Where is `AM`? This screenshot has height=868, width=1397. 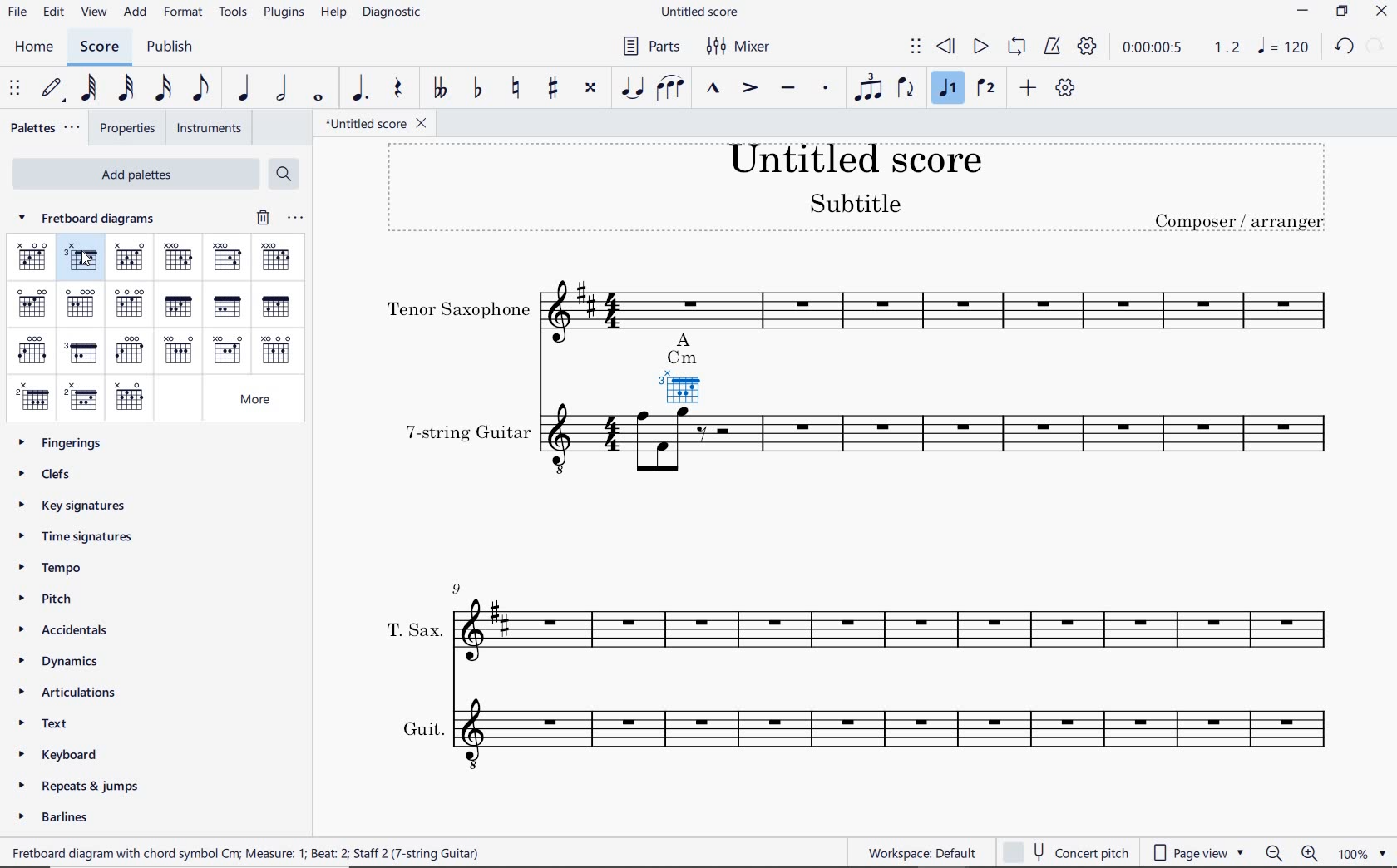 AM is located at coordinates (229, 353).